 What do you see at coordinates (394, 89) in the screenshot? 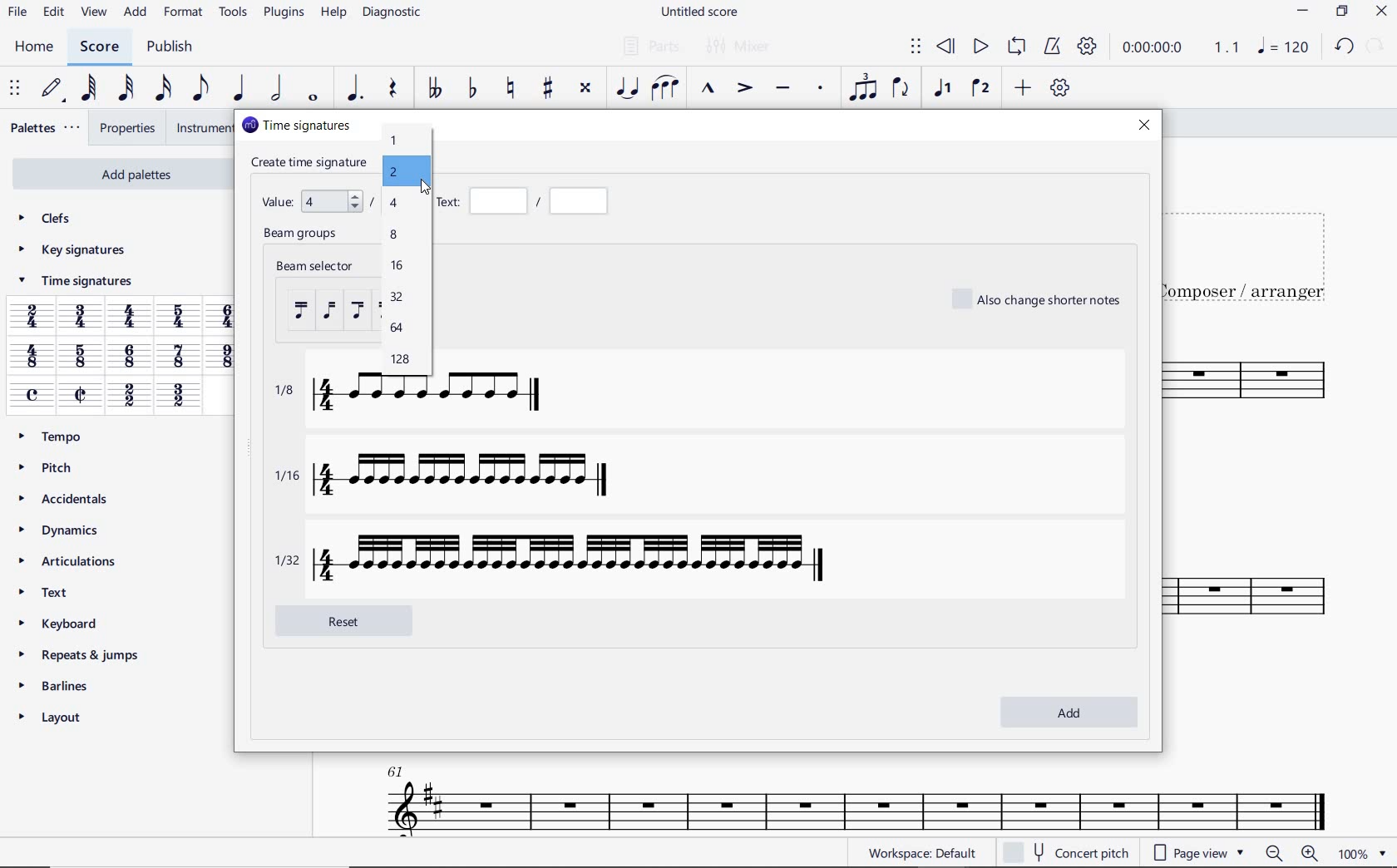
I see `REST` at bounding box center [394, 89].